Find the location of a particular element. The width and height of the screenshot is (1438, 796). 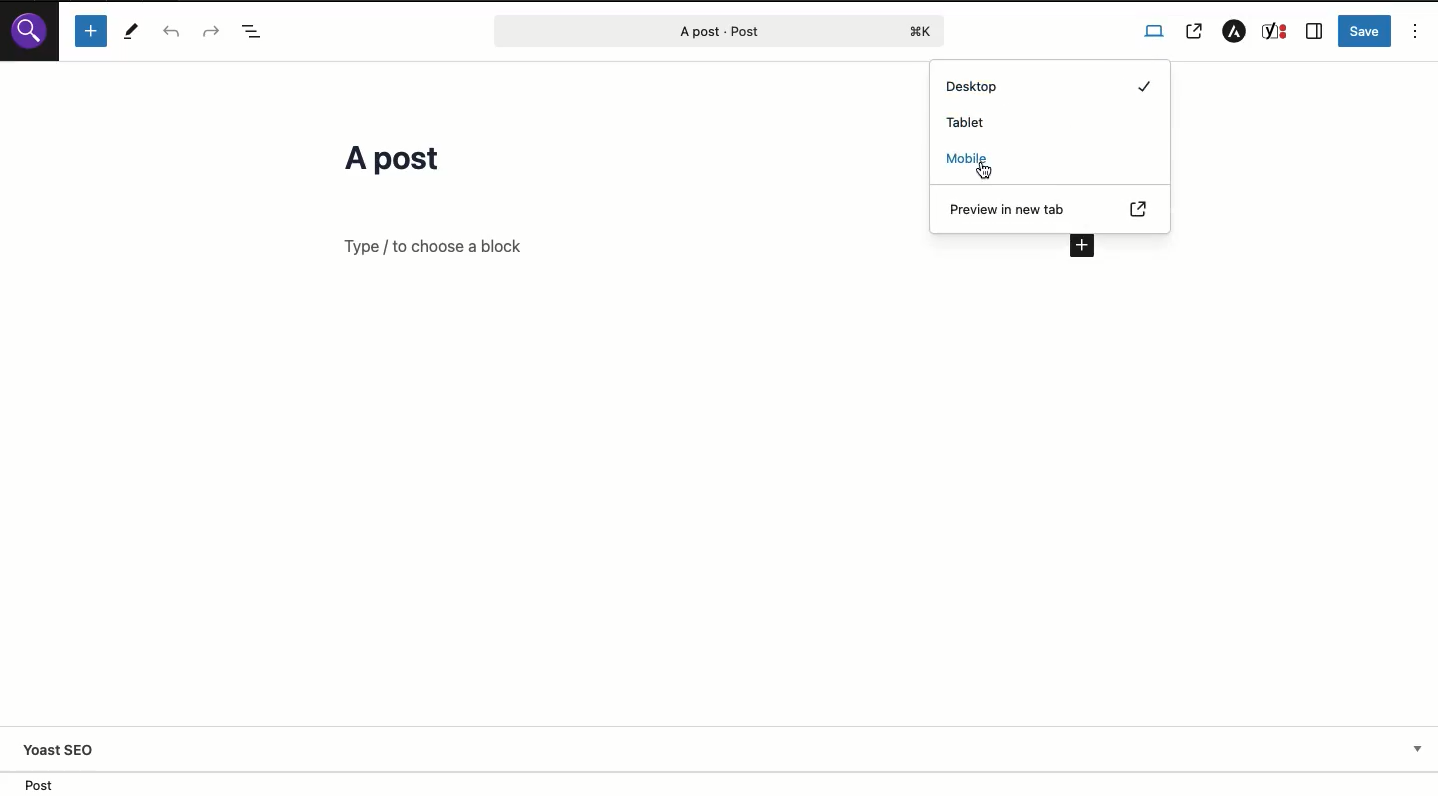

Astra is located at coordinates (1235, 30).